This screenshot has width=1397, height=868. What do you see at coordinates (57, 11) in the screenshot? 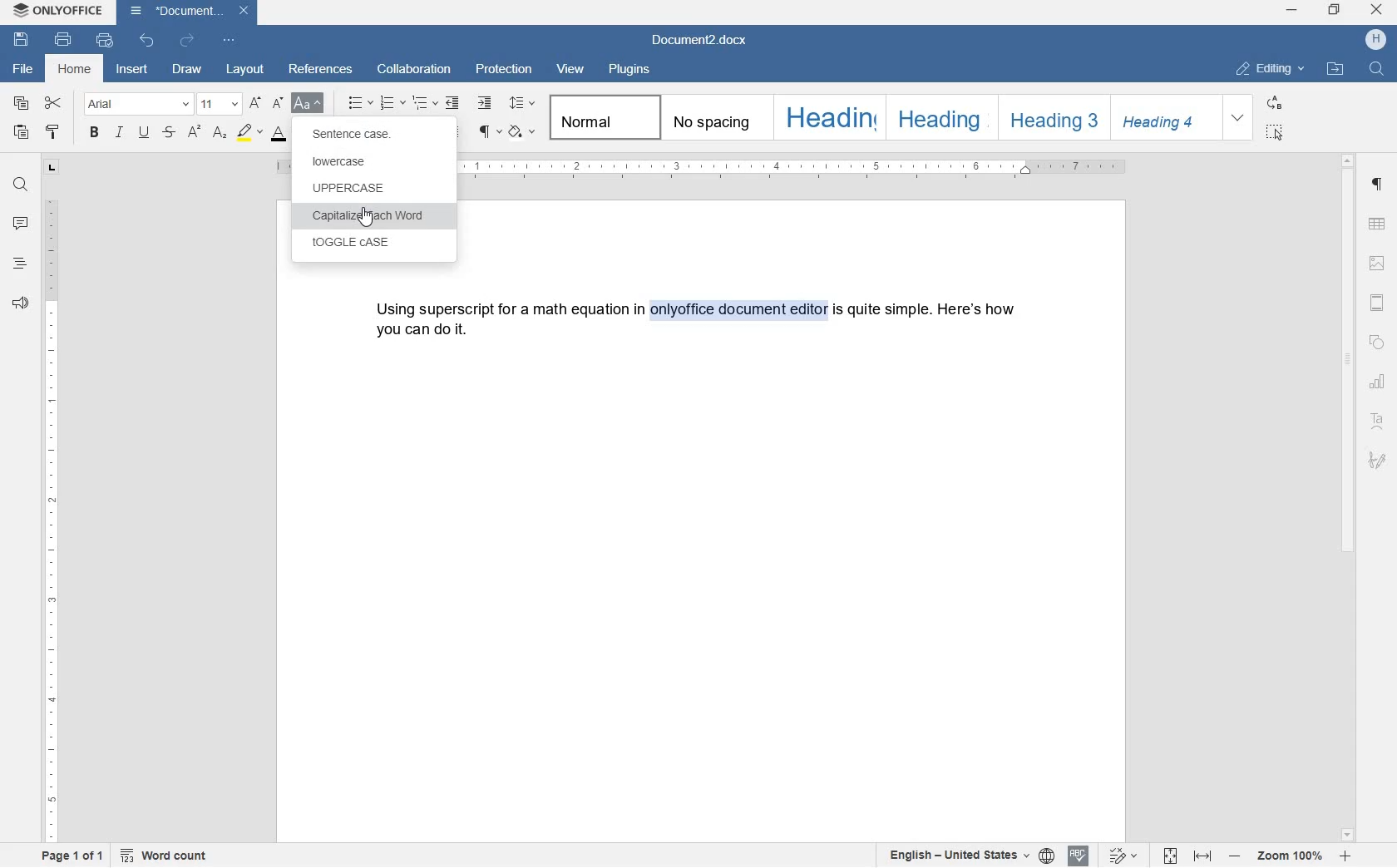
I see `ONLYOFFICE` at bounding box center [57, 11].